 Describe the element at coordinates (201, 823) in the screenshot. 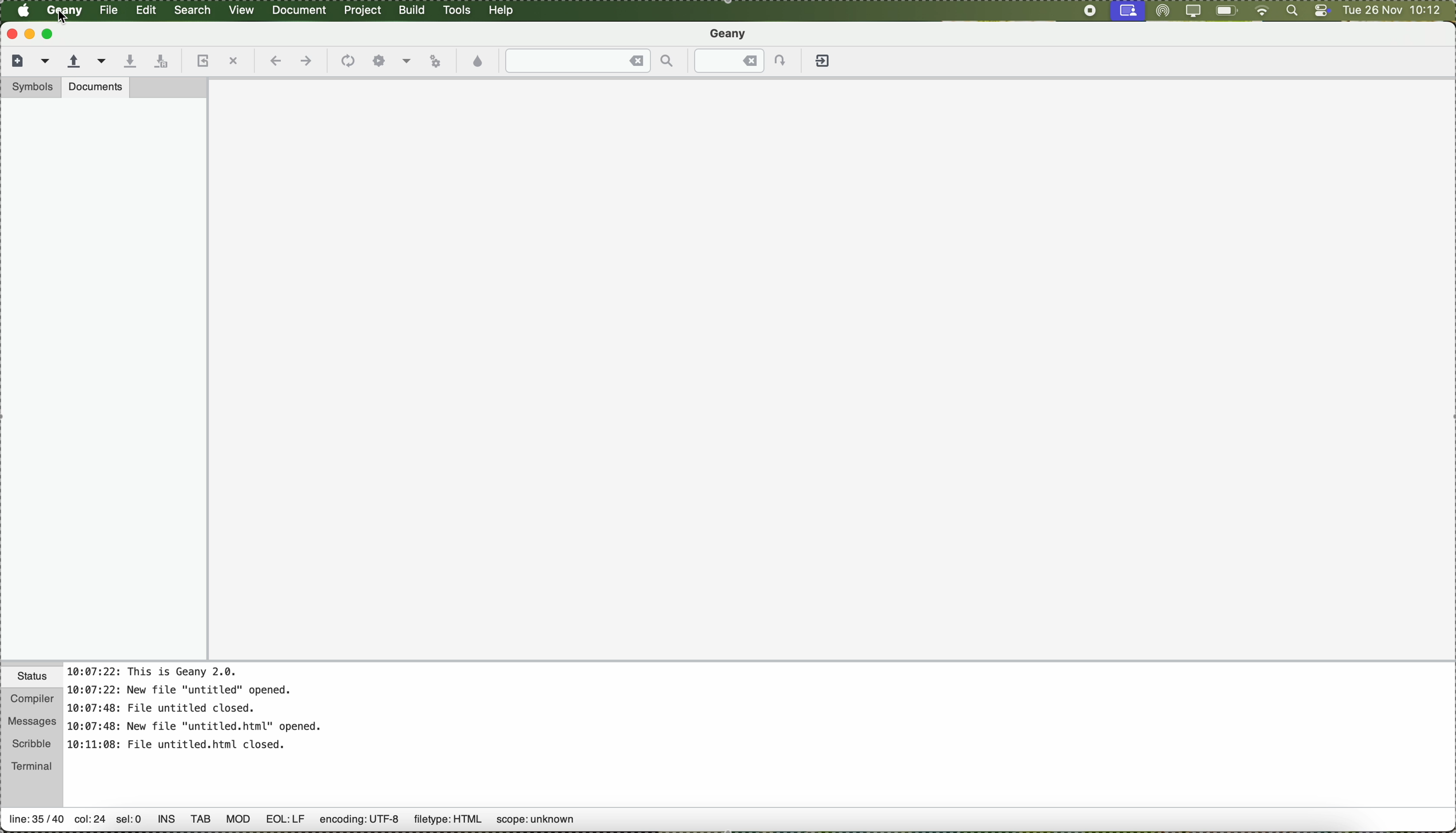

I see `TAB` at that location.